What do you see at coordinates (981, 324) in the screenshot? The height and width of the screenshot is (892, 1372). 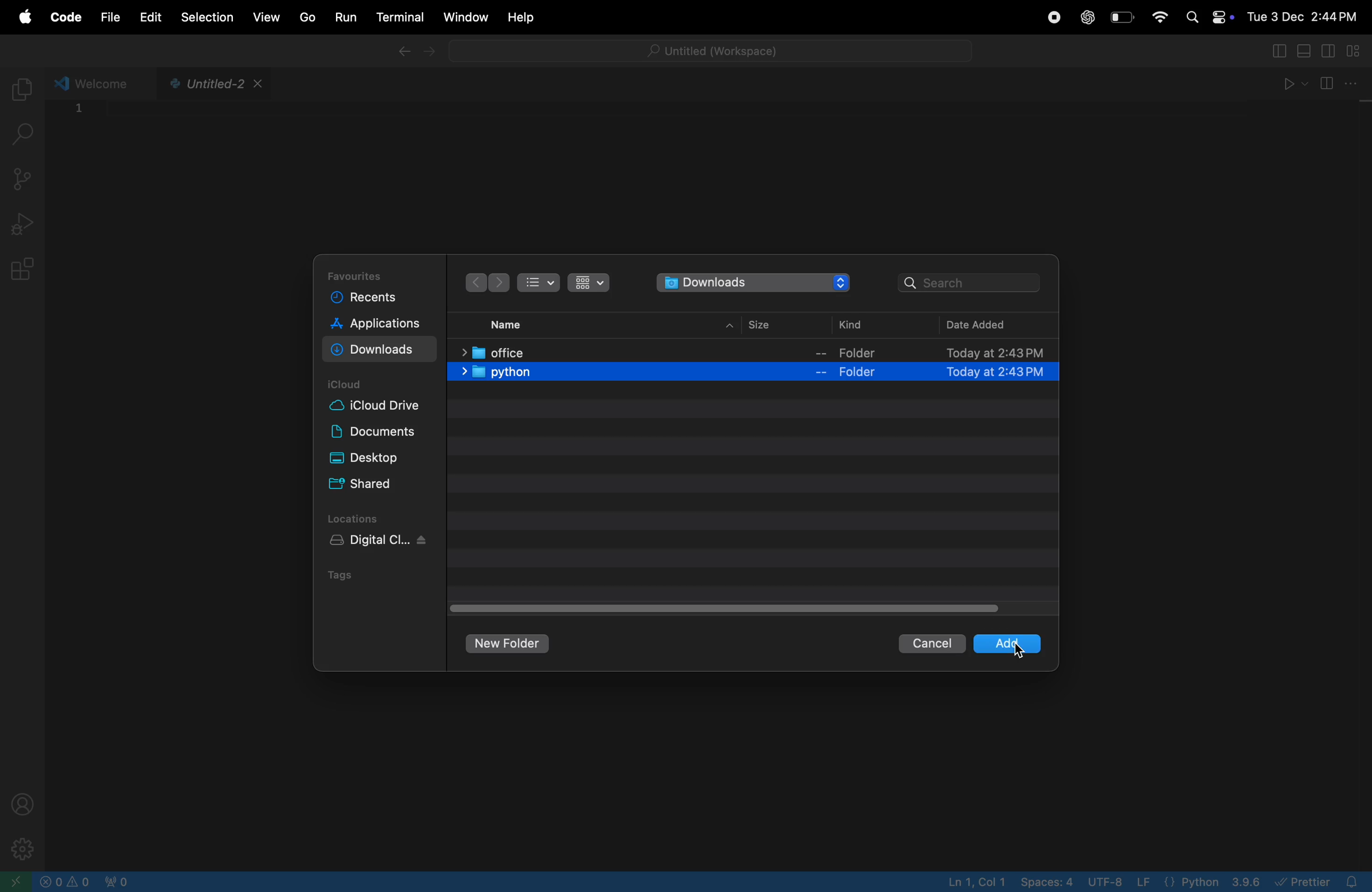 I see `date added` at bounding box center [981, 324].